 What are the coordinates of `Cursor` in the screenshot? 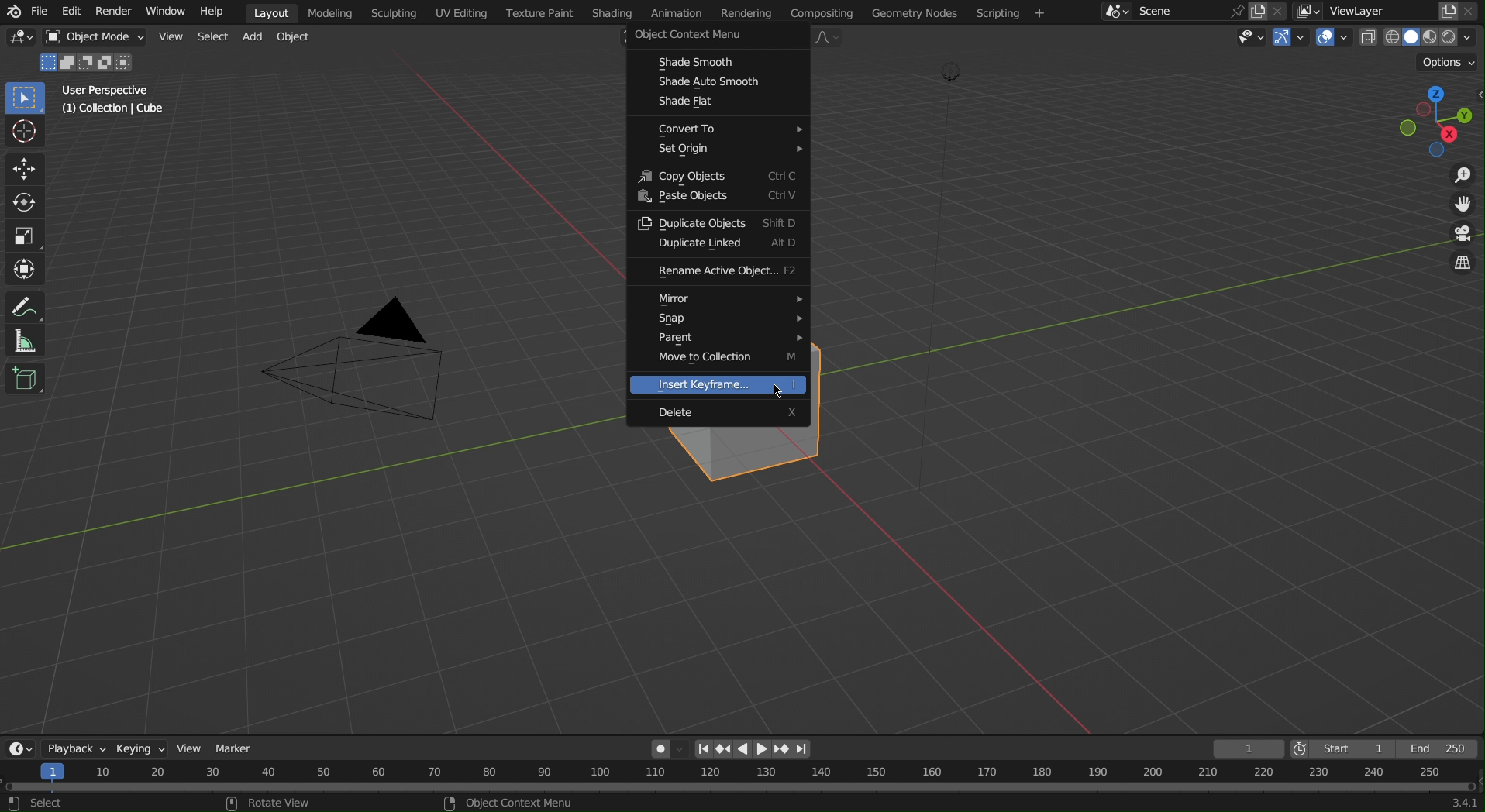 It's located at (779, 391).